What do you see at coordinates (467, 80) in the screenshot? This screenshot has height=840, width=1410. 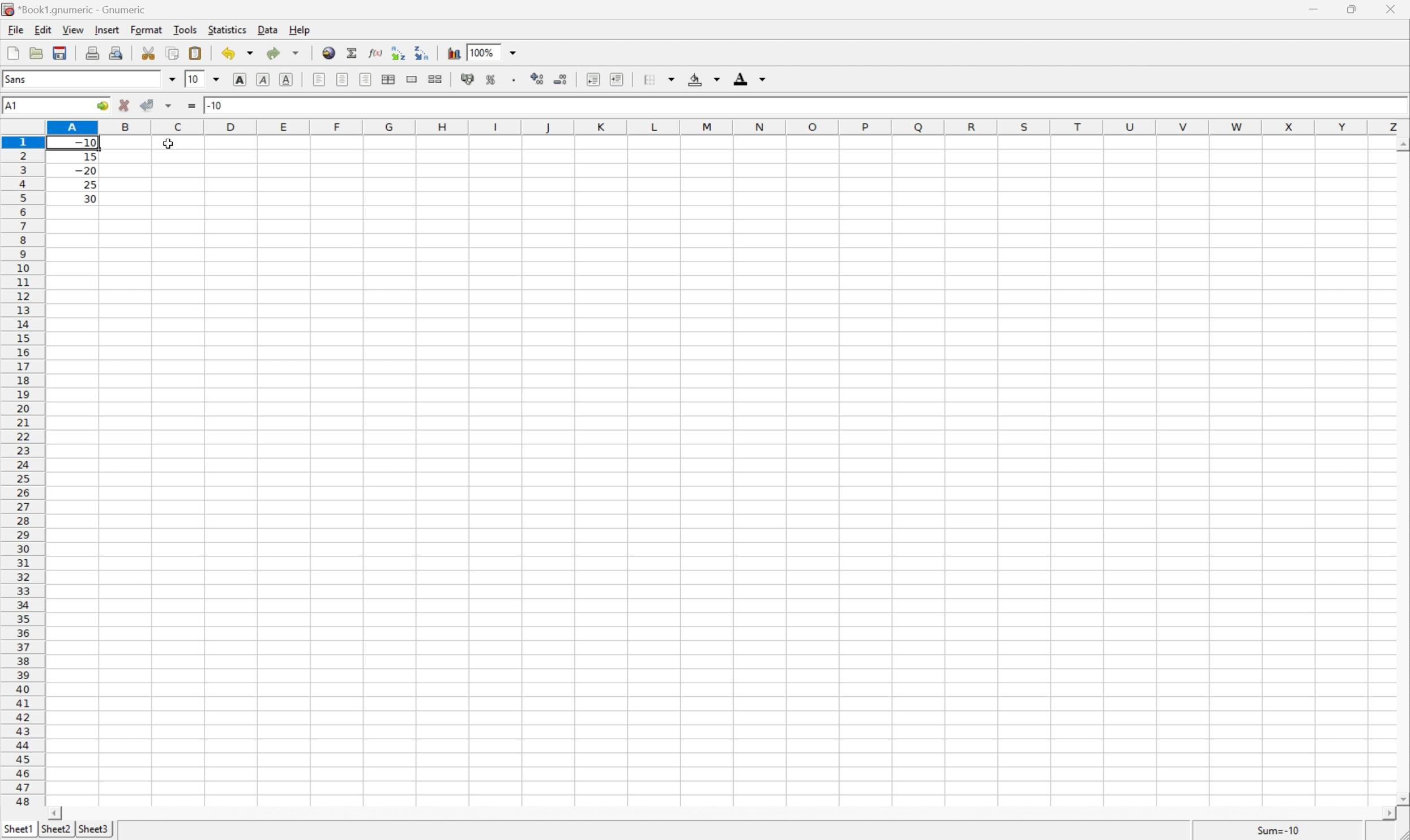 I see `Format the selection as accounting` at bounding box center [467, 80].